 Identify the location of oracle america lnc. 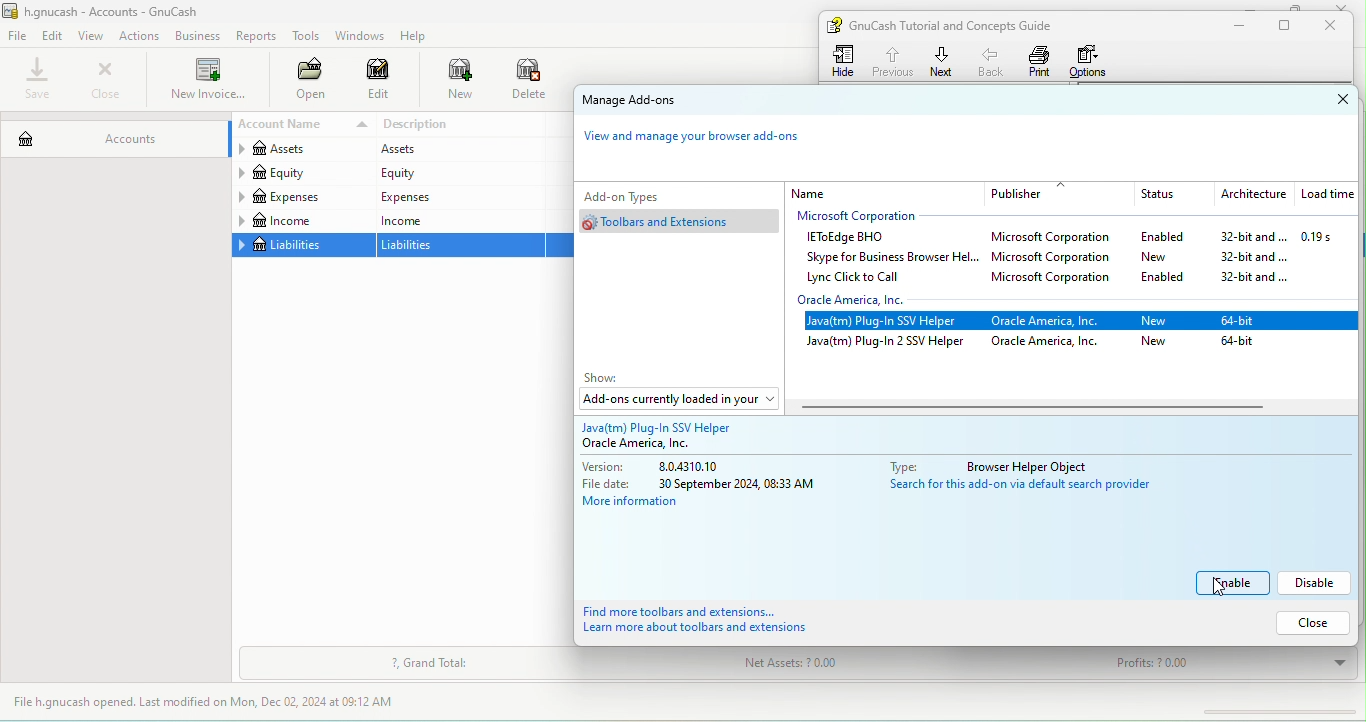
(1052, 322).